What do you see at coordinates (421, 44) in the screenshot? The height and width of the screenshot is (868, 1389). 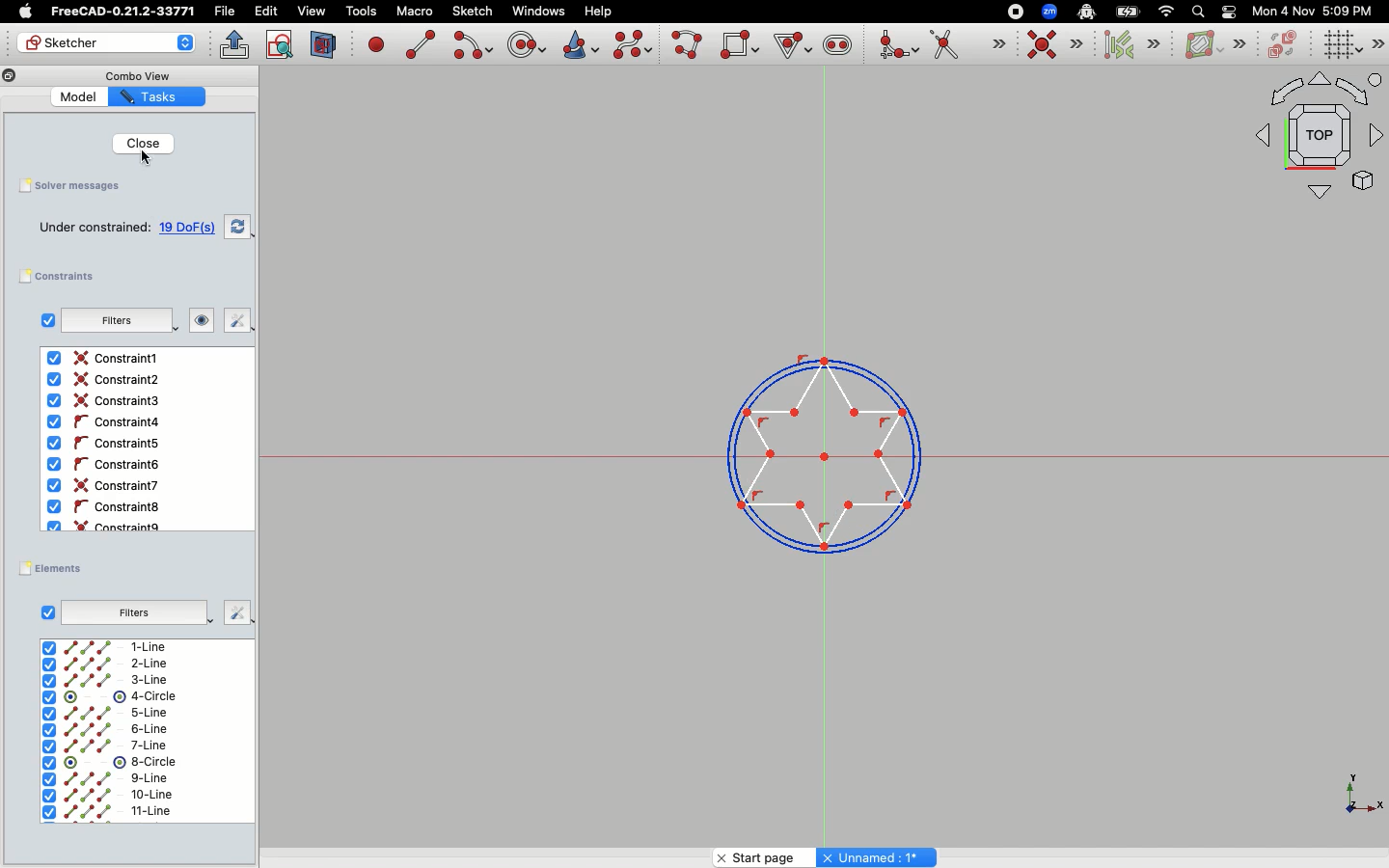 I see `Create line` at bounding box center [421, 44].